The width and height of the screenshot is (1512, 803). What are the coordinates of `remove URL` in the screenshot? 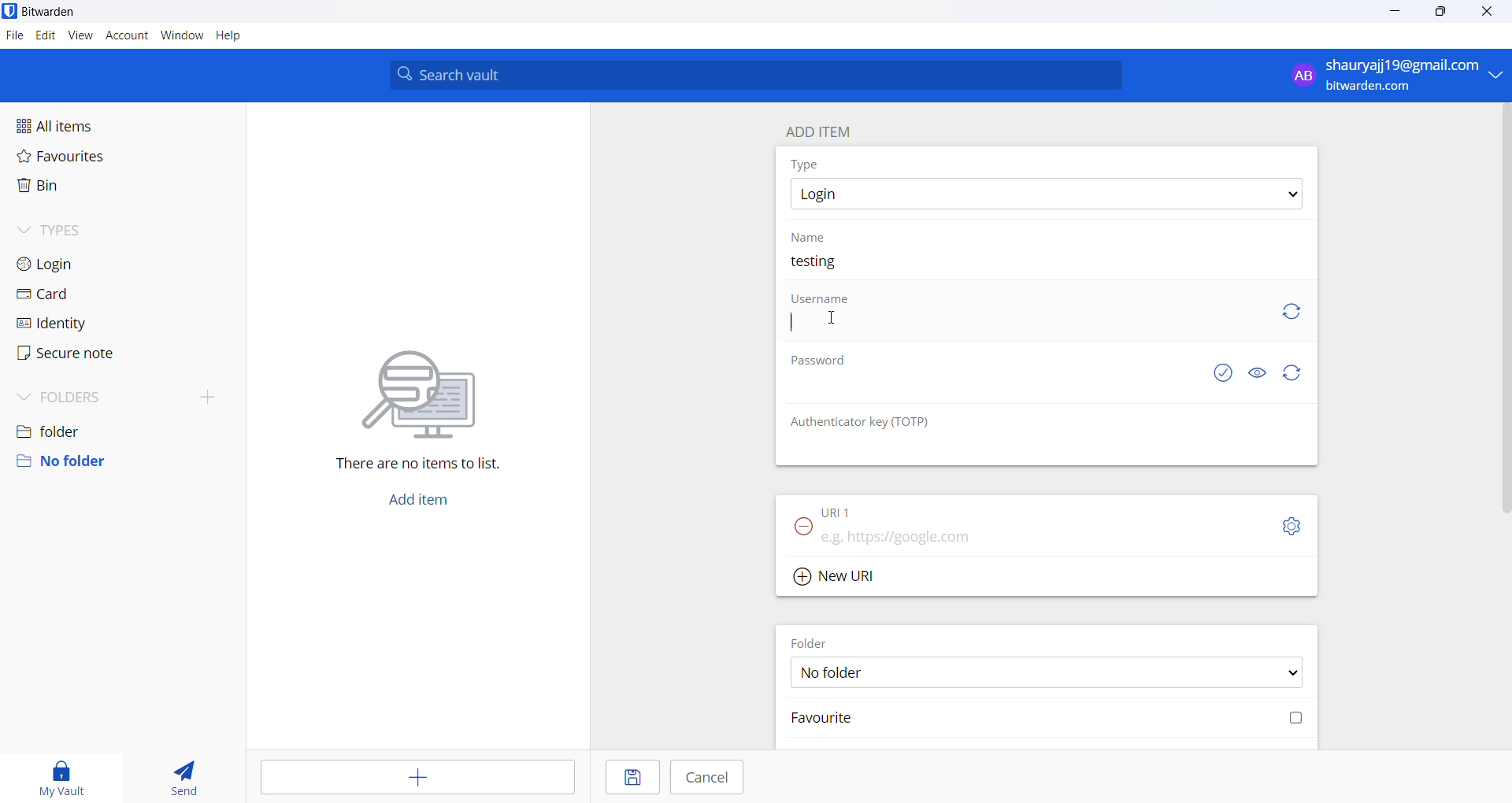 It's located at (804, 527).